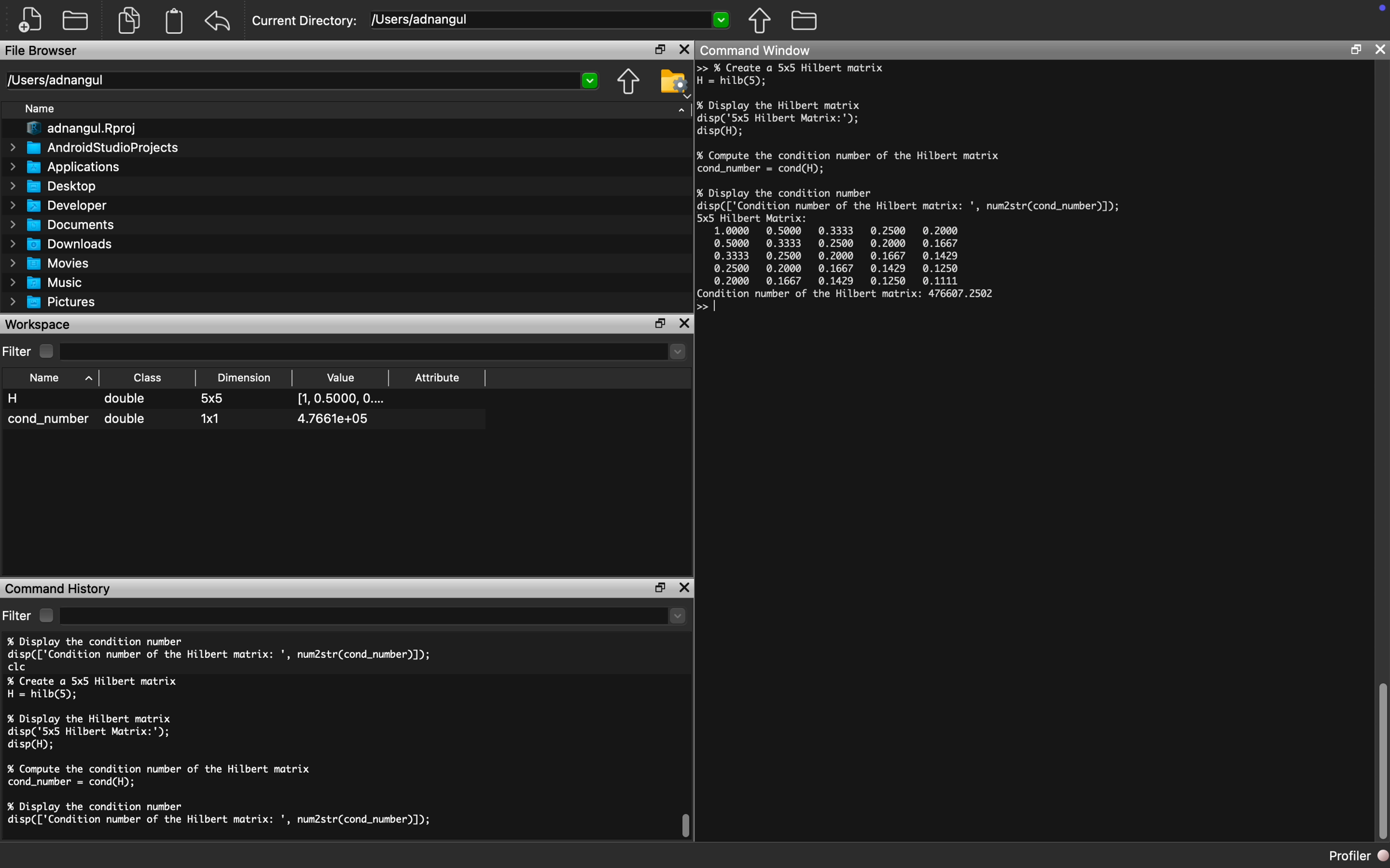 The width and height of the screenshot is (1390, 868). Describe the element at coordinates (94, 688) in the screenshot. I see `% Create a 5x5 Hilbert matrix
H = hilb(5);` at that location.